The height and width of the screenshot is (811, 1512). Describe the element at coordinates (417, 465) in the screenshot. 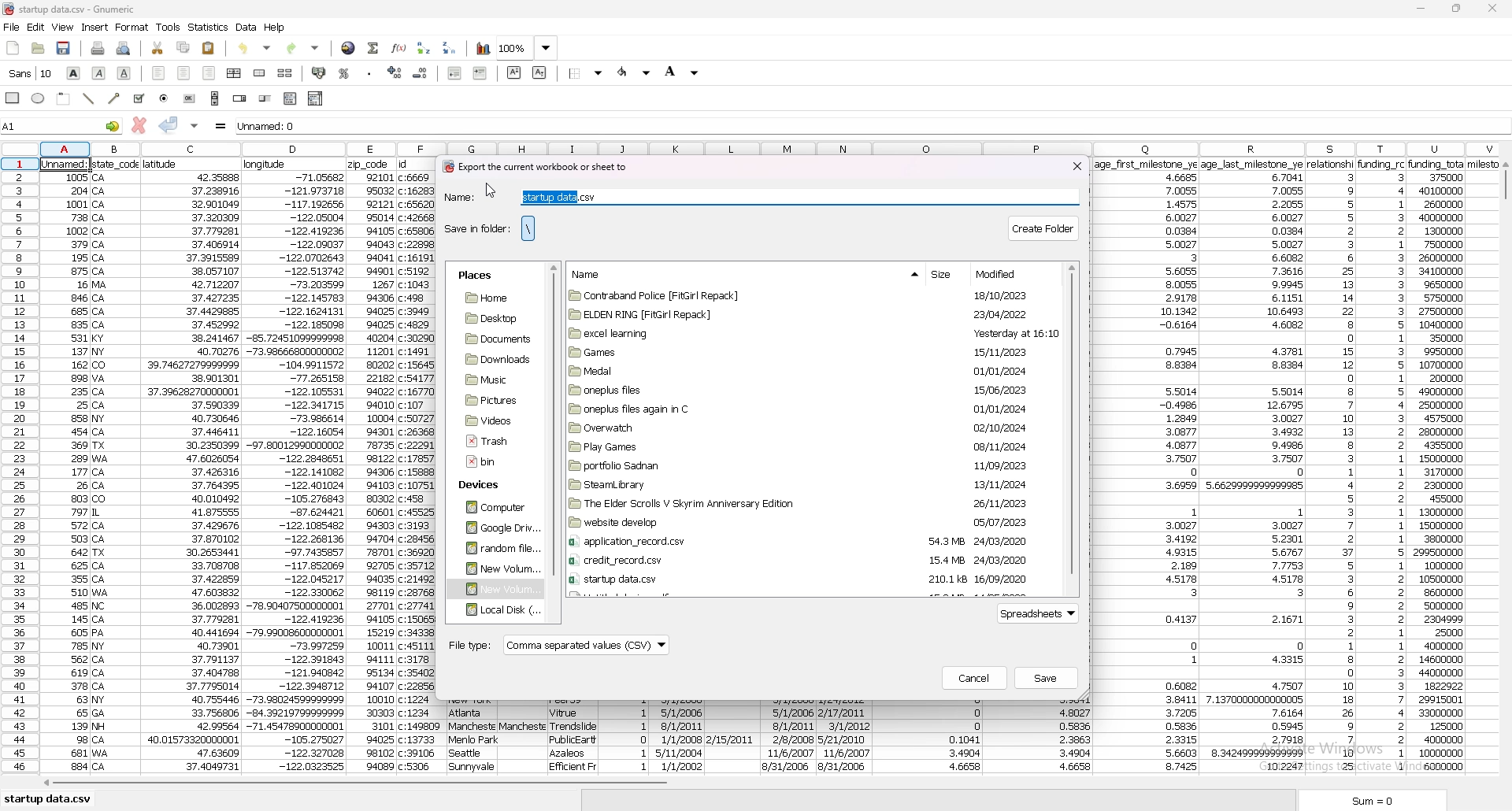

I see `daat` at that location.